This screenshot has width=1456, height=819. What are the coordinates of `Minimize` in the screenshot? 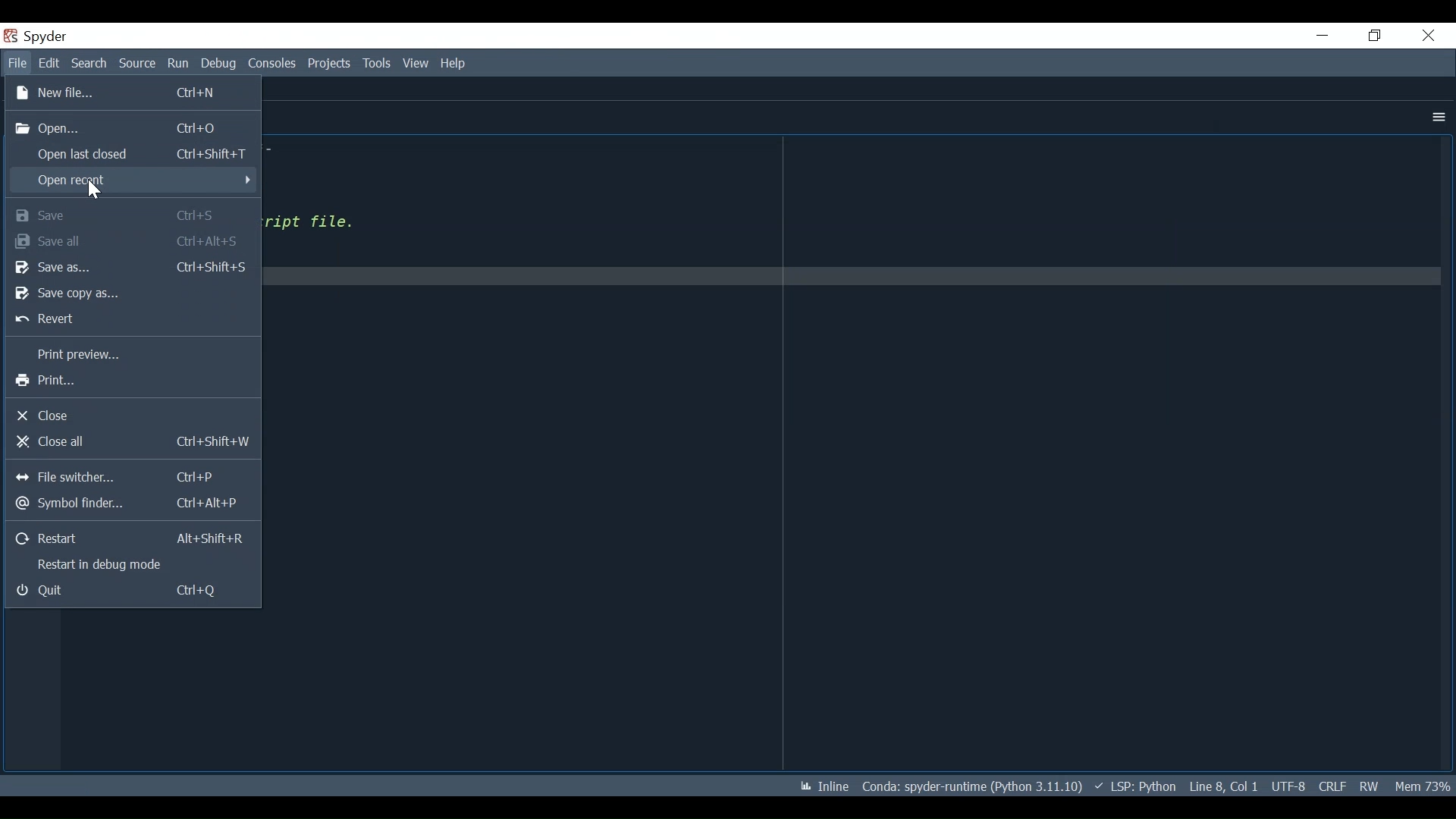 It's located at (1322, 35).